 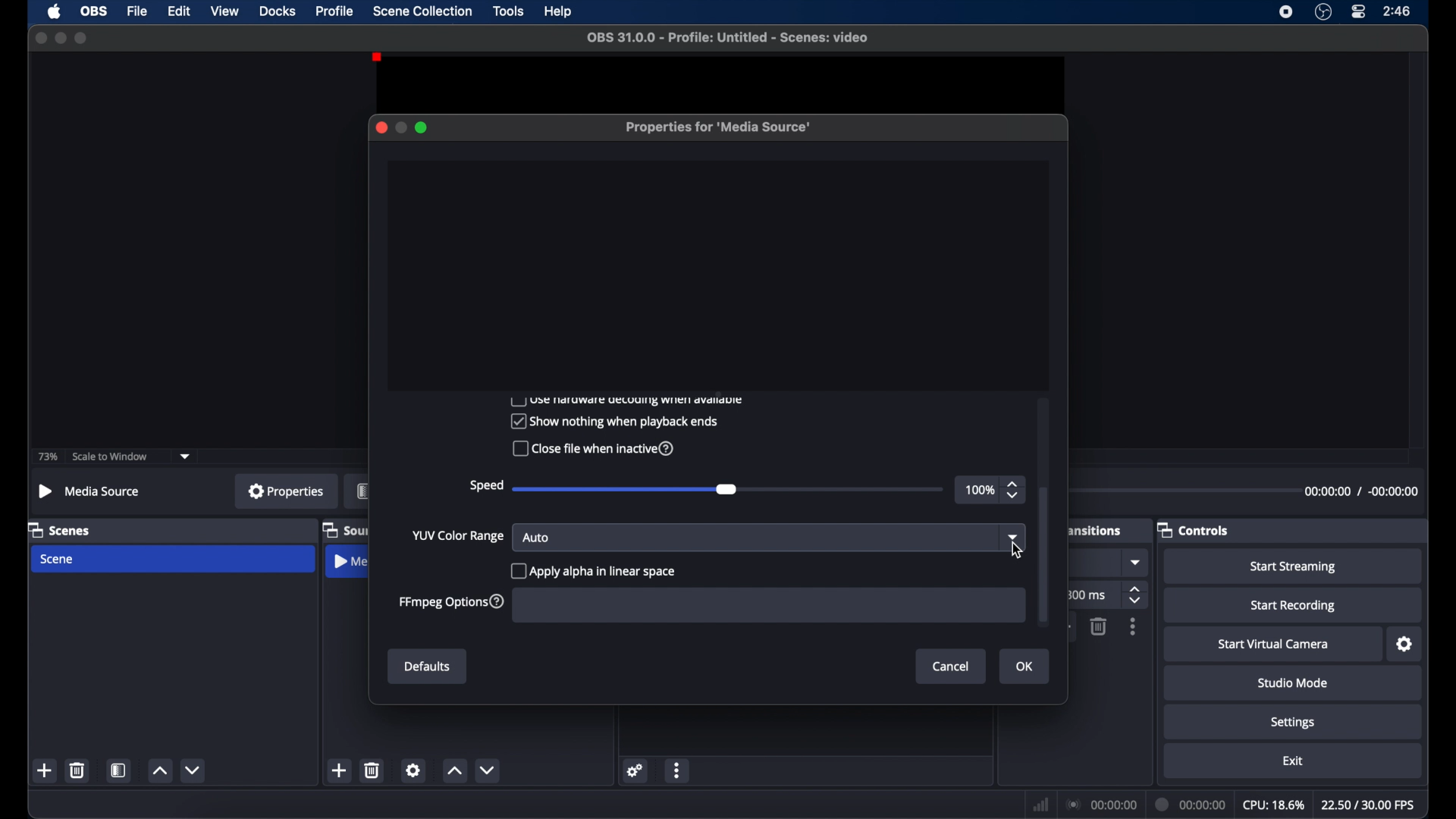 What do you see at coordinates (491, 770) in the screenshot?
I see `decrement` at bounding box center [491, 770].